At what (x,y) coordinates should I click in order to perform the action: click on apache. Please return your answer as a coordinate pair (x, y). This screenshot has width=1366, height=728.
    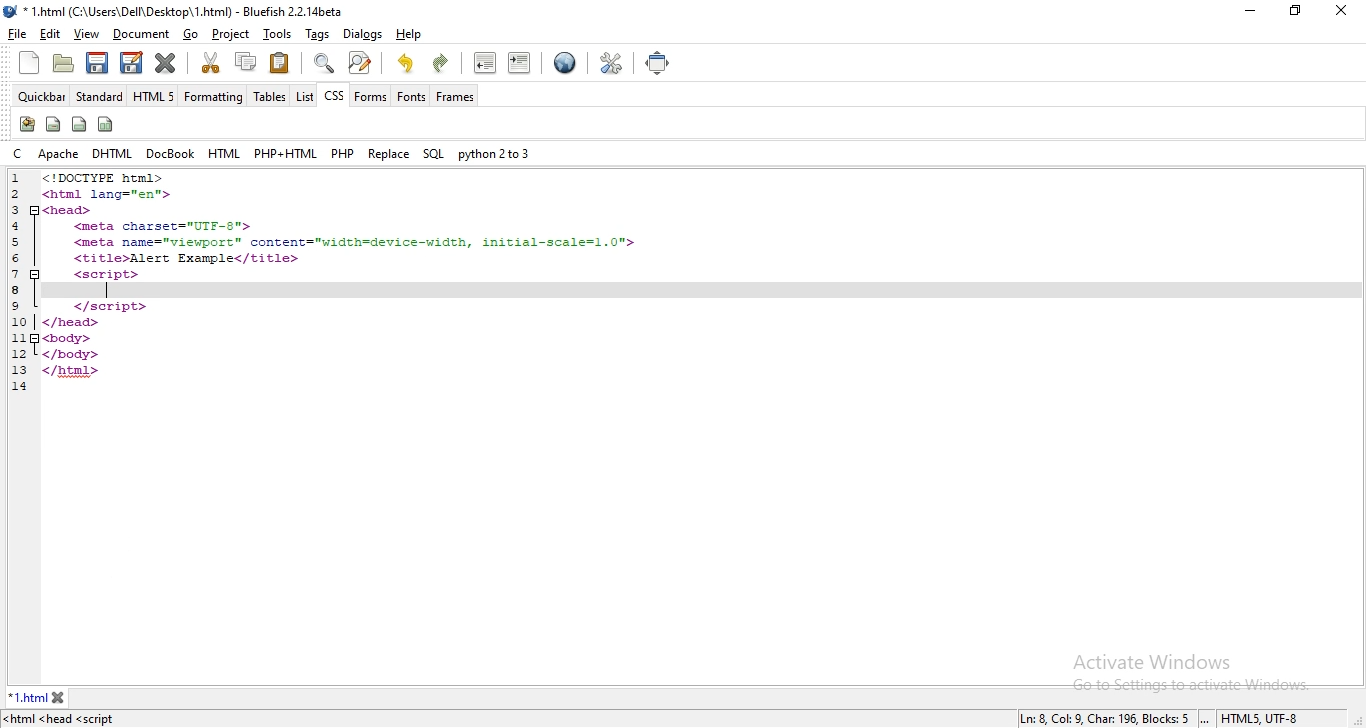
    Looking at the image, I should click on (57, 152).